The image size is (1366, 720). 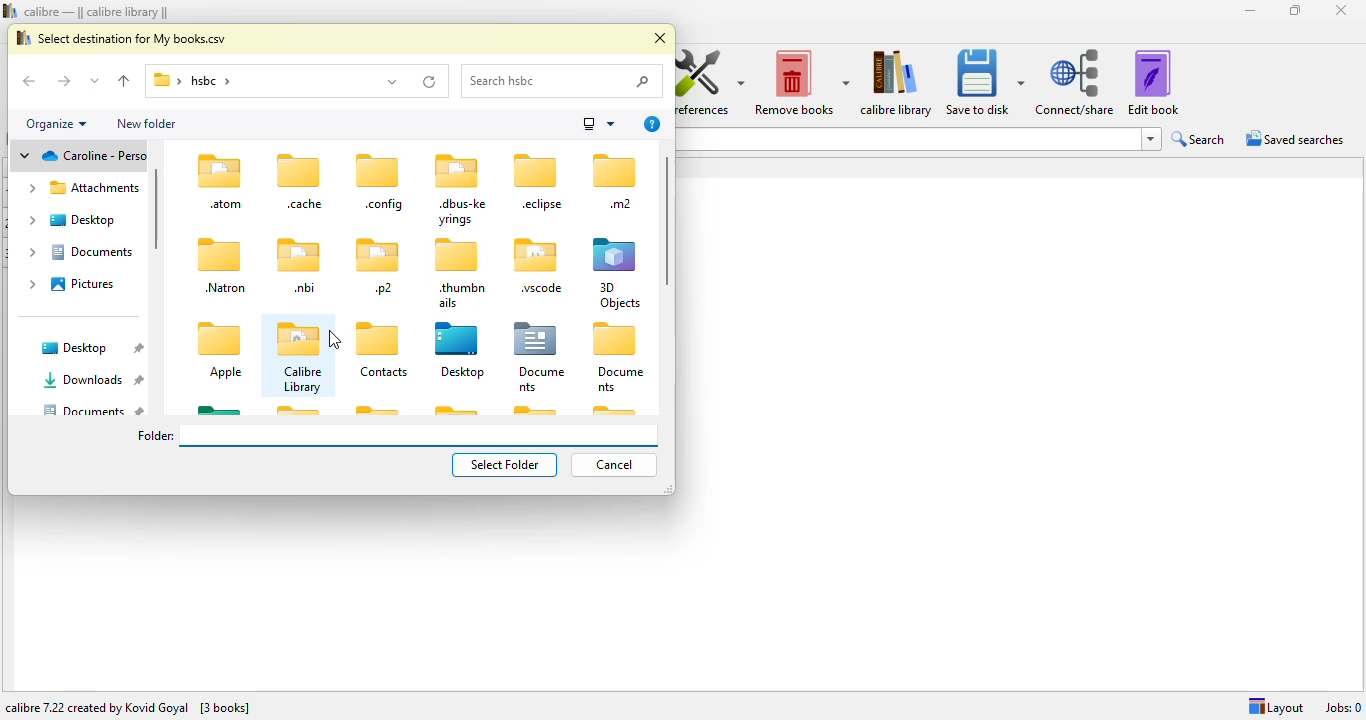 I want to click on change your view, so click(x=597, y=123).